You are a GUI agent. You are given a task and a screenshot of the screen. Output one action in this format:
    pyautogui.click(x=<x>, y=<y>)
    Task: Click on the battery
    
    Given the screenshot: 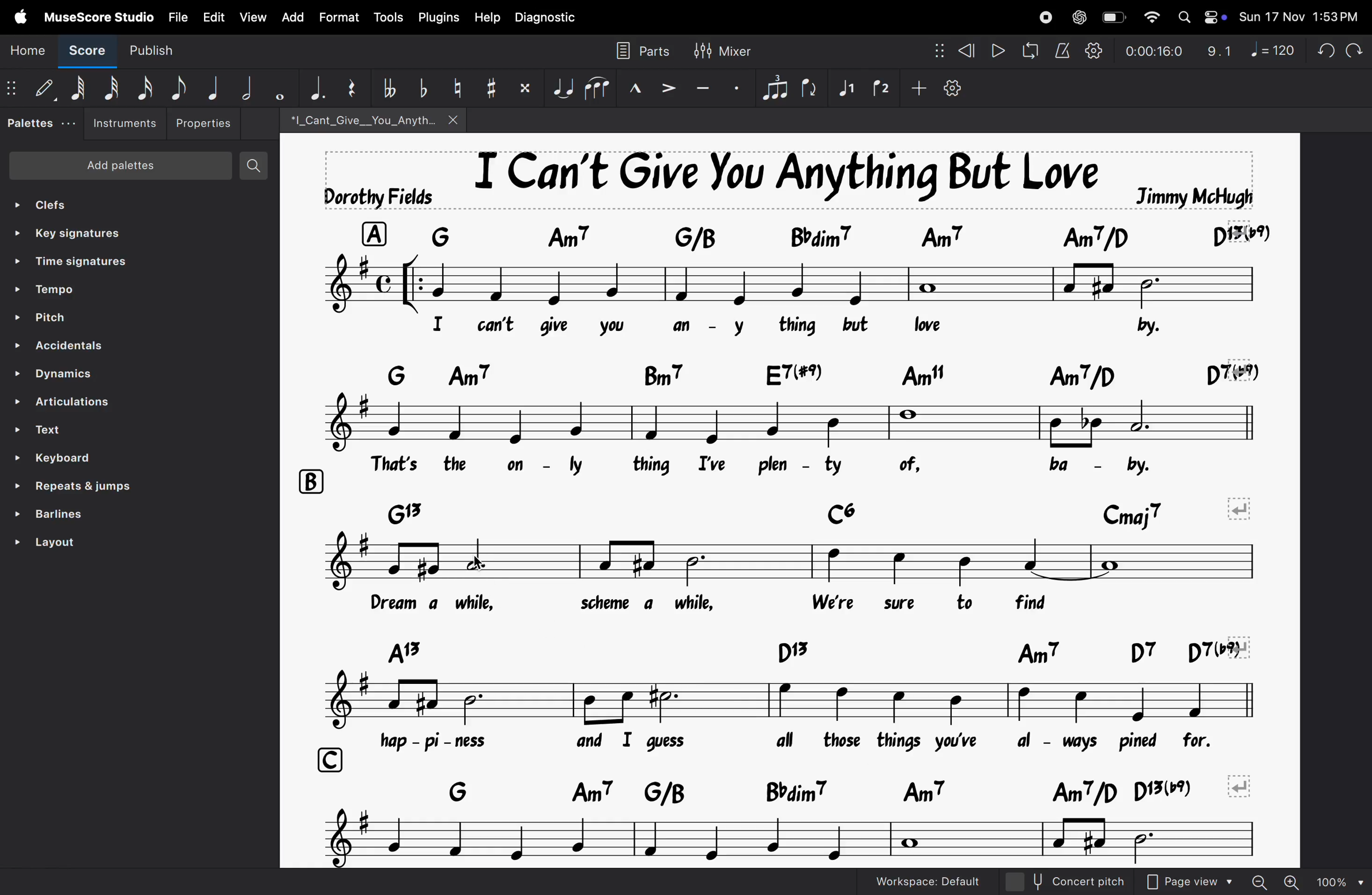 What is the action you would take?
    pyautogui.click(x=1116, y=17)
    